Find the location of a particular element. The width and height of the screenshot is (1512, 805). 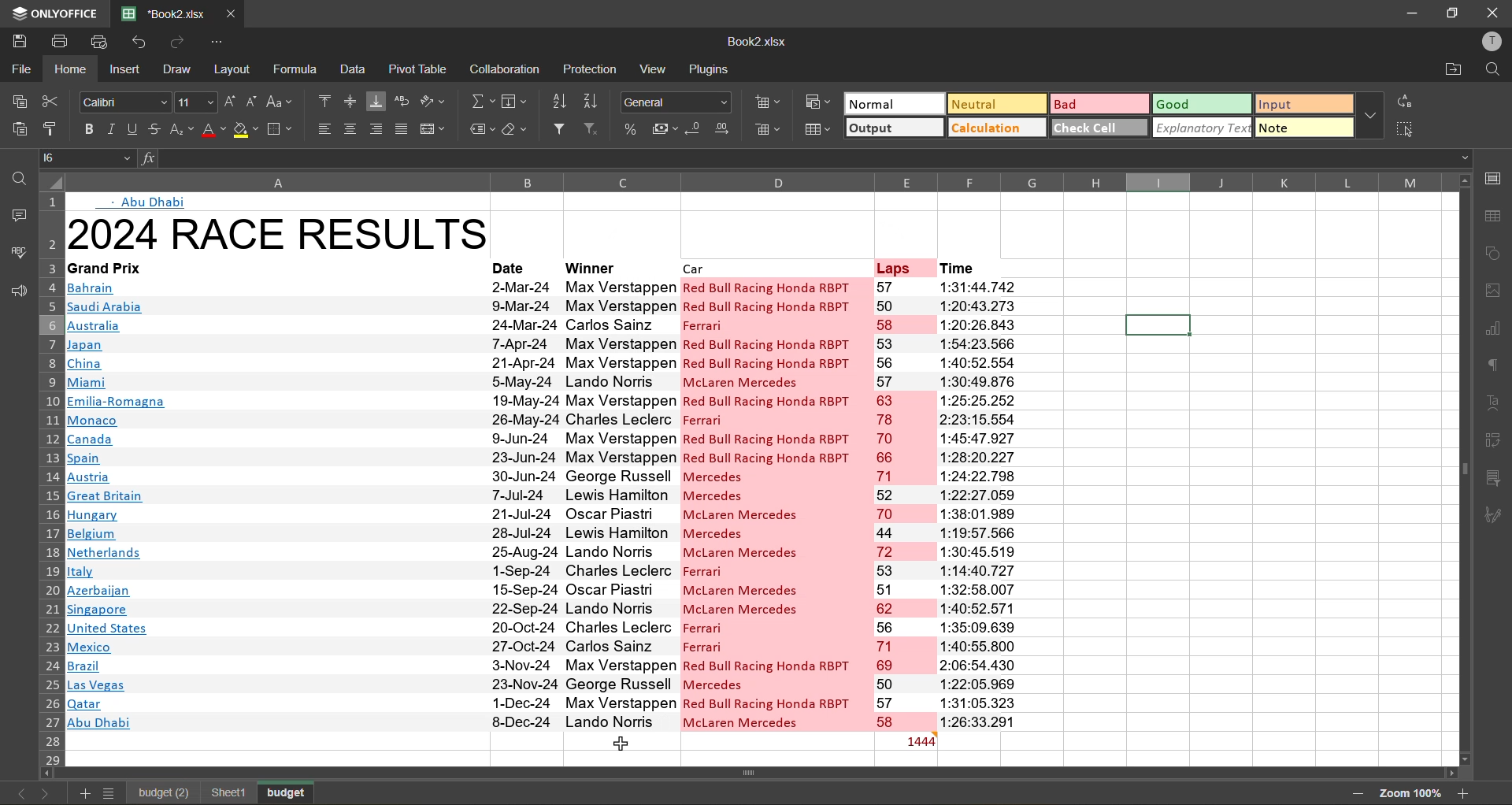

collaboration is located at coordinates (507, 70).